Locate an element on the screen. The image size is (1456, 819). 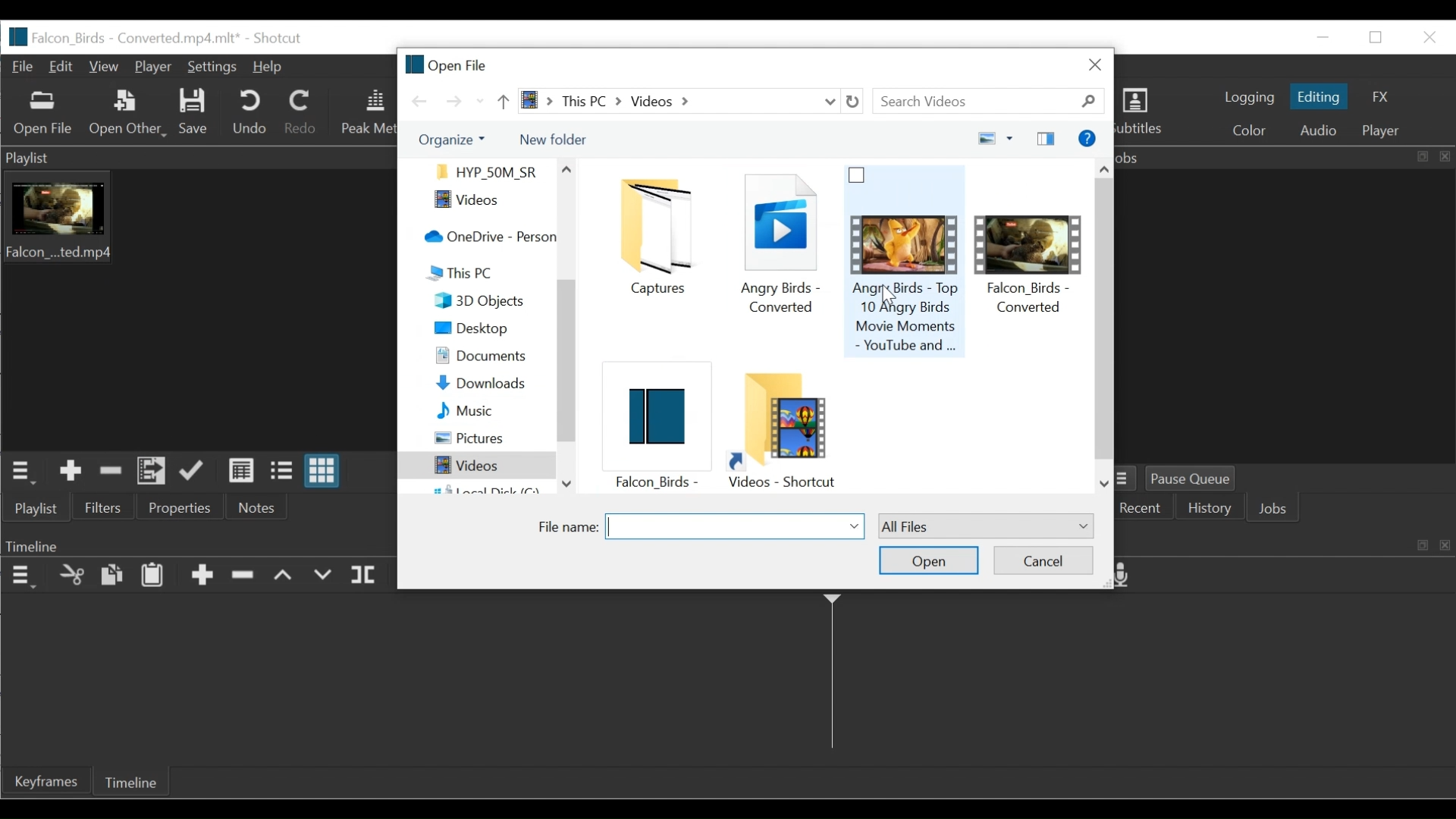
Open file is located at coordinates (447, 63).